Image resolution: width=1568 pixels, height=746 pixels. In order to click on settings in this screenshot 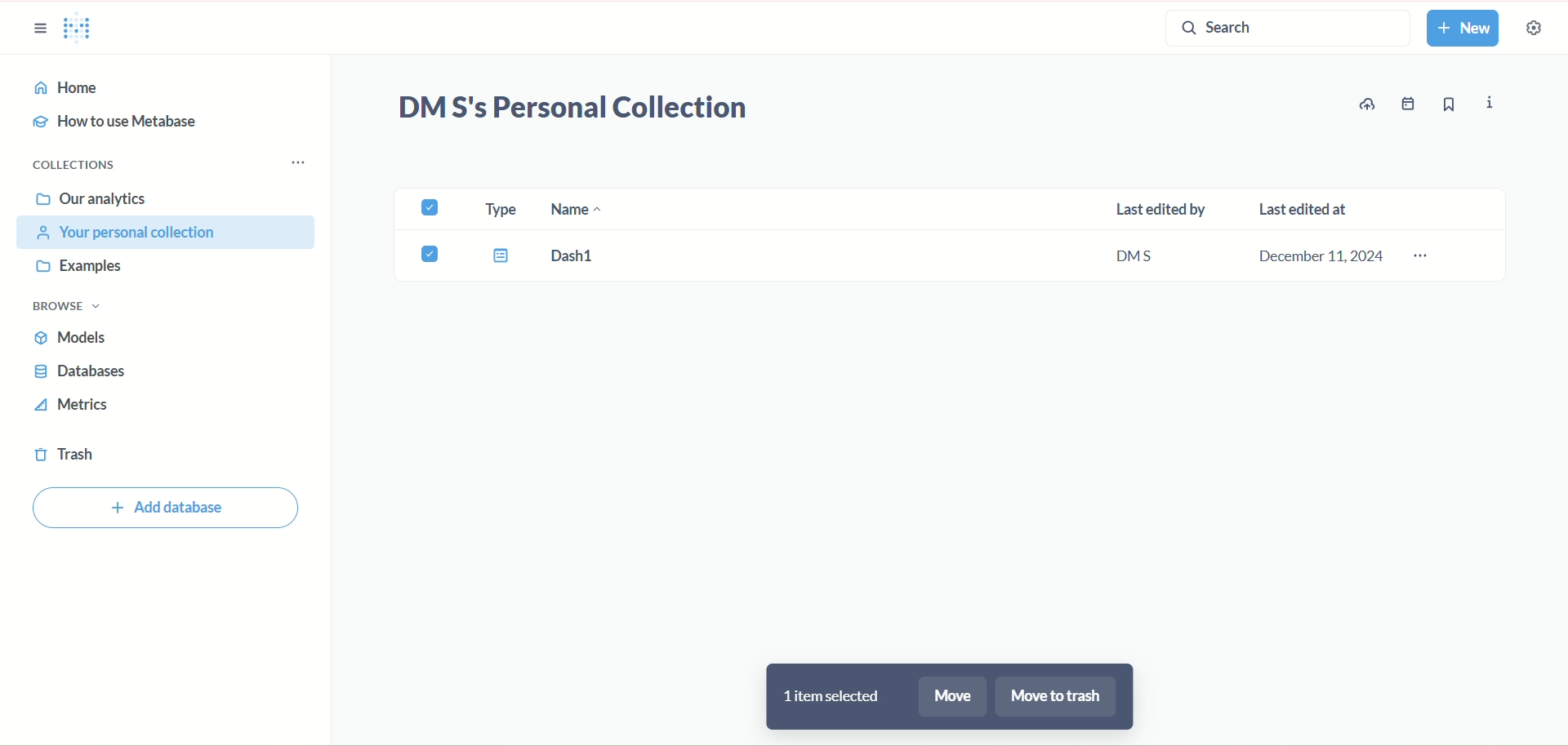, I will do `click(1532, 28)`.